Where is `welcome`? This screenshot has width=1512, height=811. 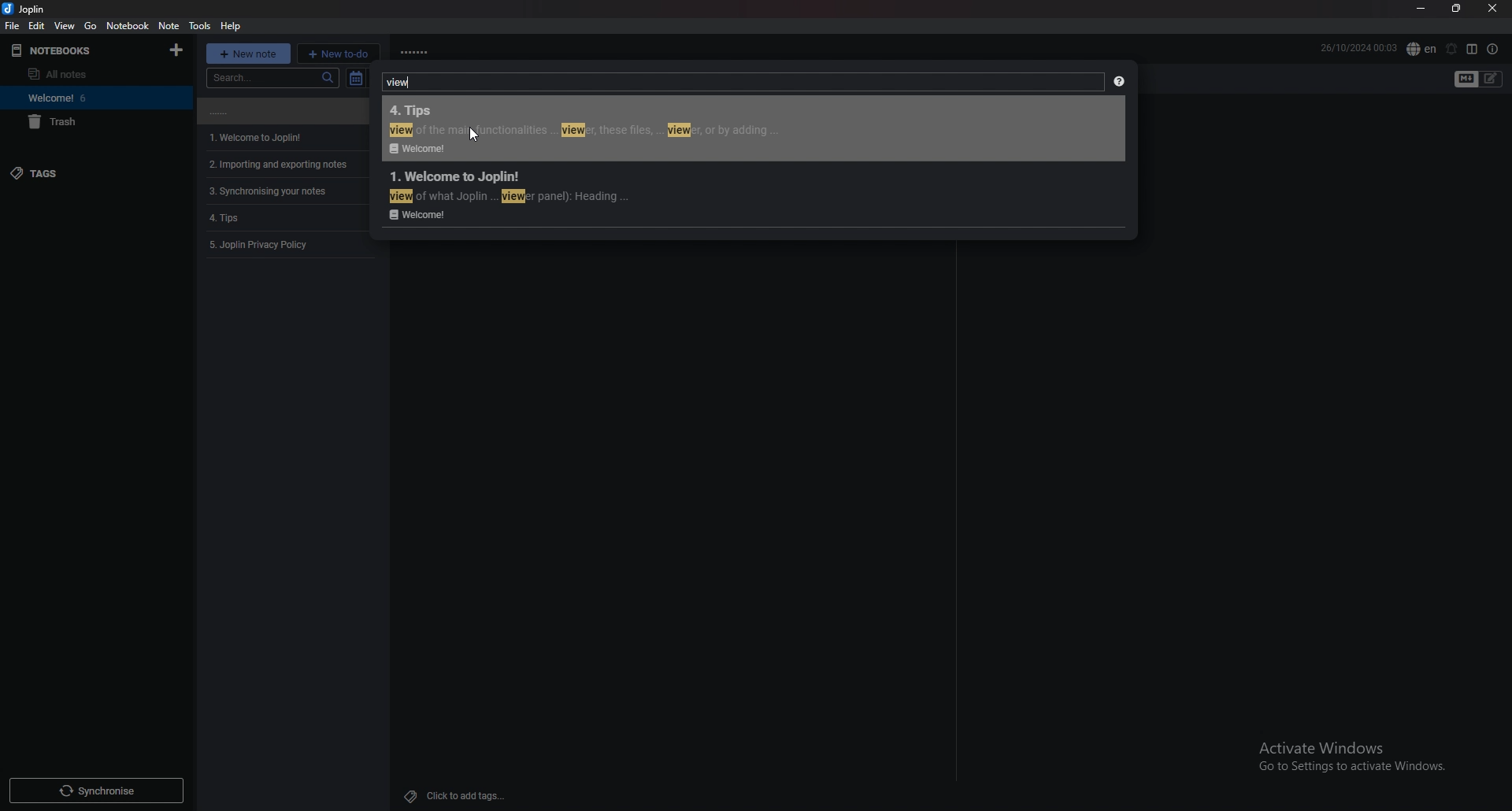
welcome is located at coordinates (40, 97).